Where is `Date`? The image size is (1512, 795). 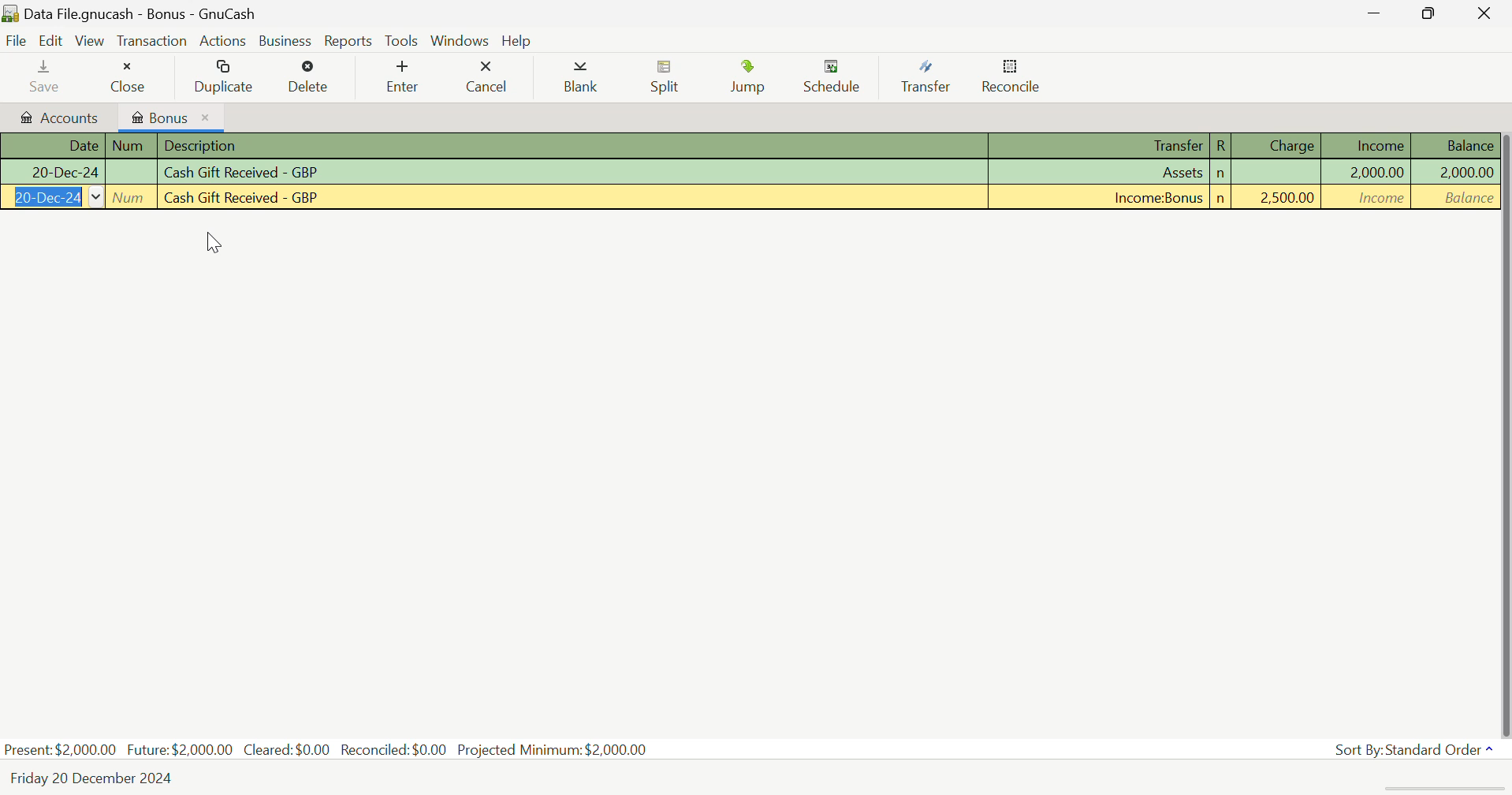 Date is located at coordinates (53, 198).